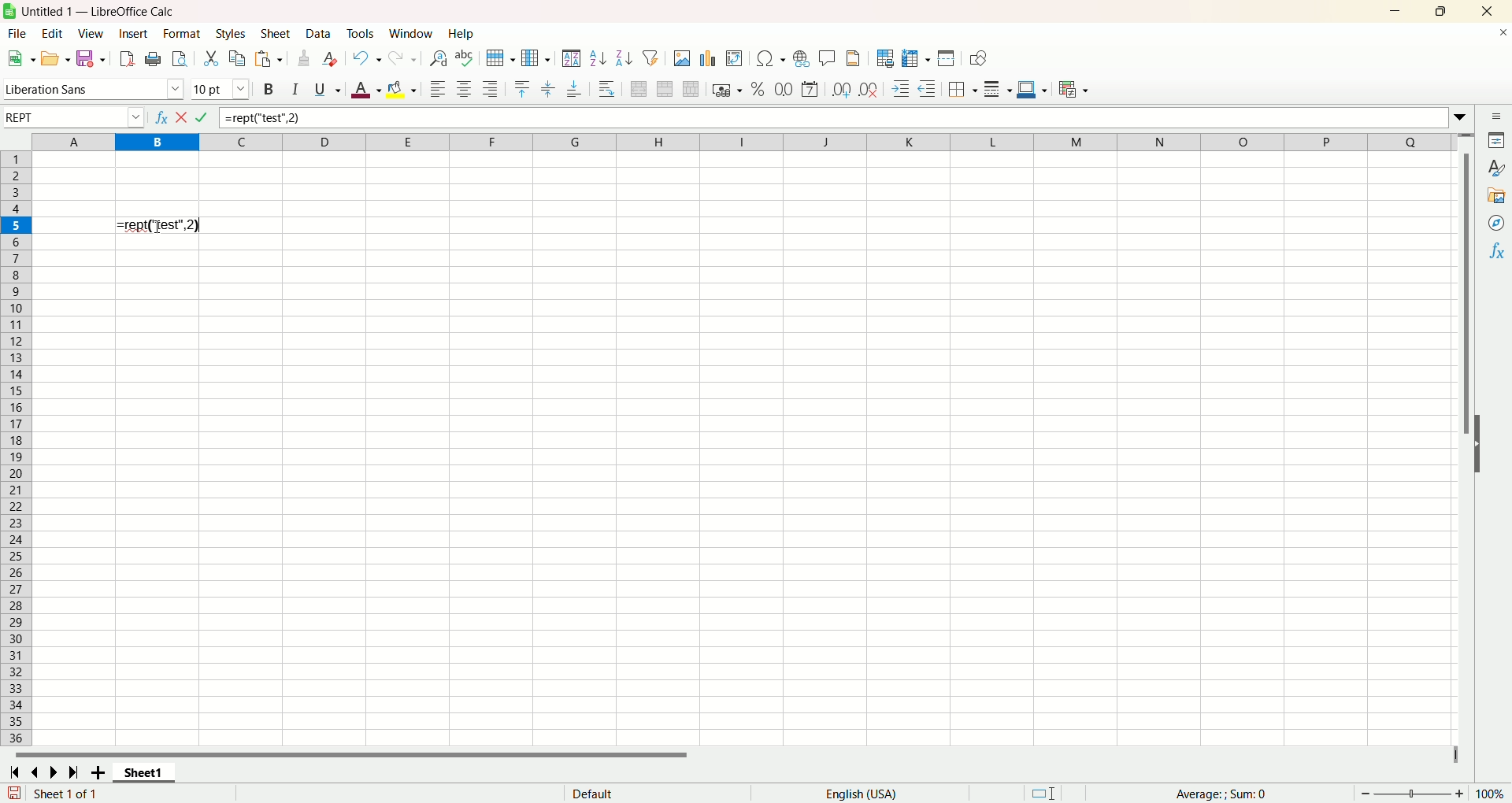 The image size is (1512, 803). Describe the element at coordinates (409, 34) in the screenshot. I see `window` at that location.